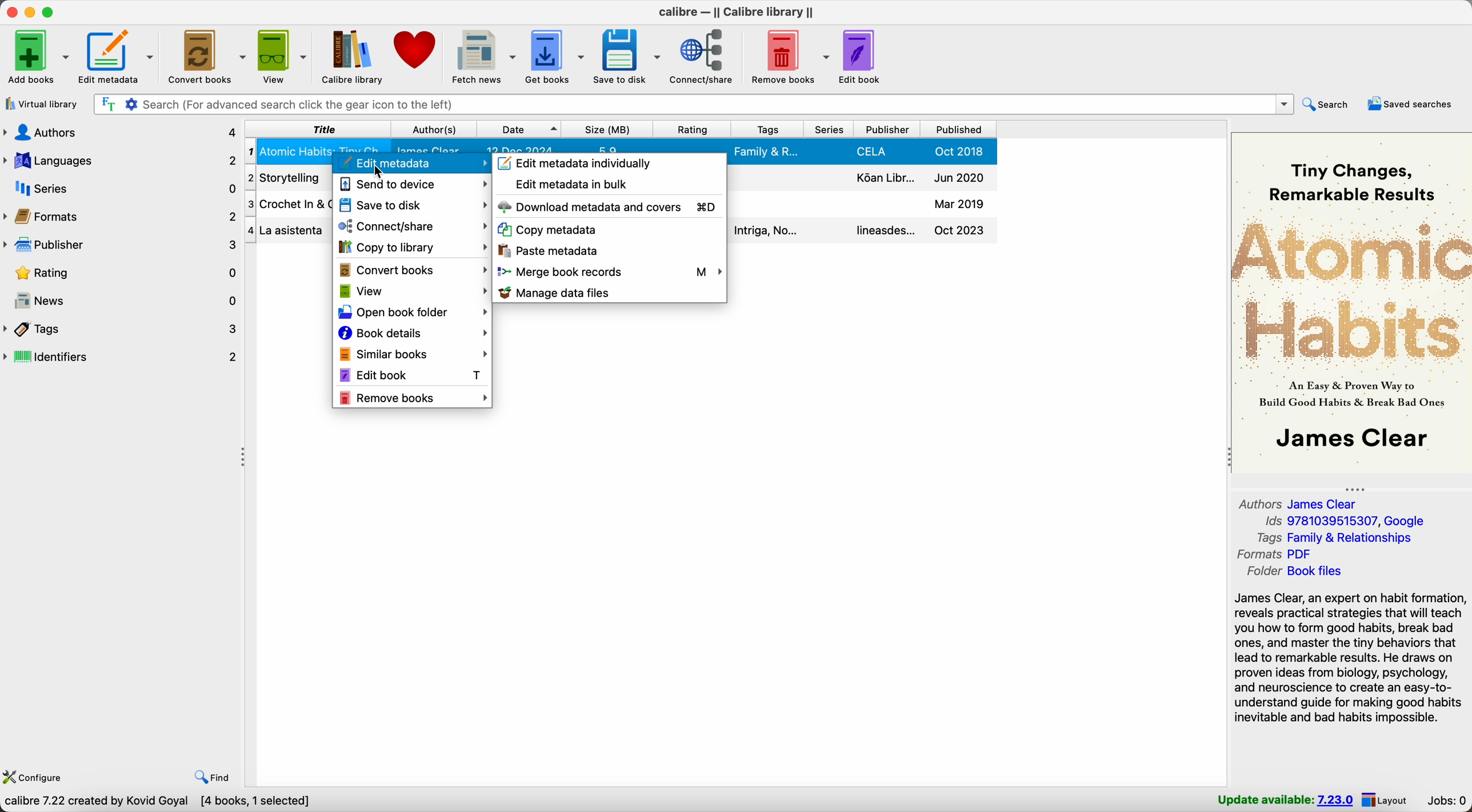 The height and width of the screenshot is (812, 1472). What do you see at coordinates (958, 129) in the screenshot?
I see `published` at bounding box center [958, 129].